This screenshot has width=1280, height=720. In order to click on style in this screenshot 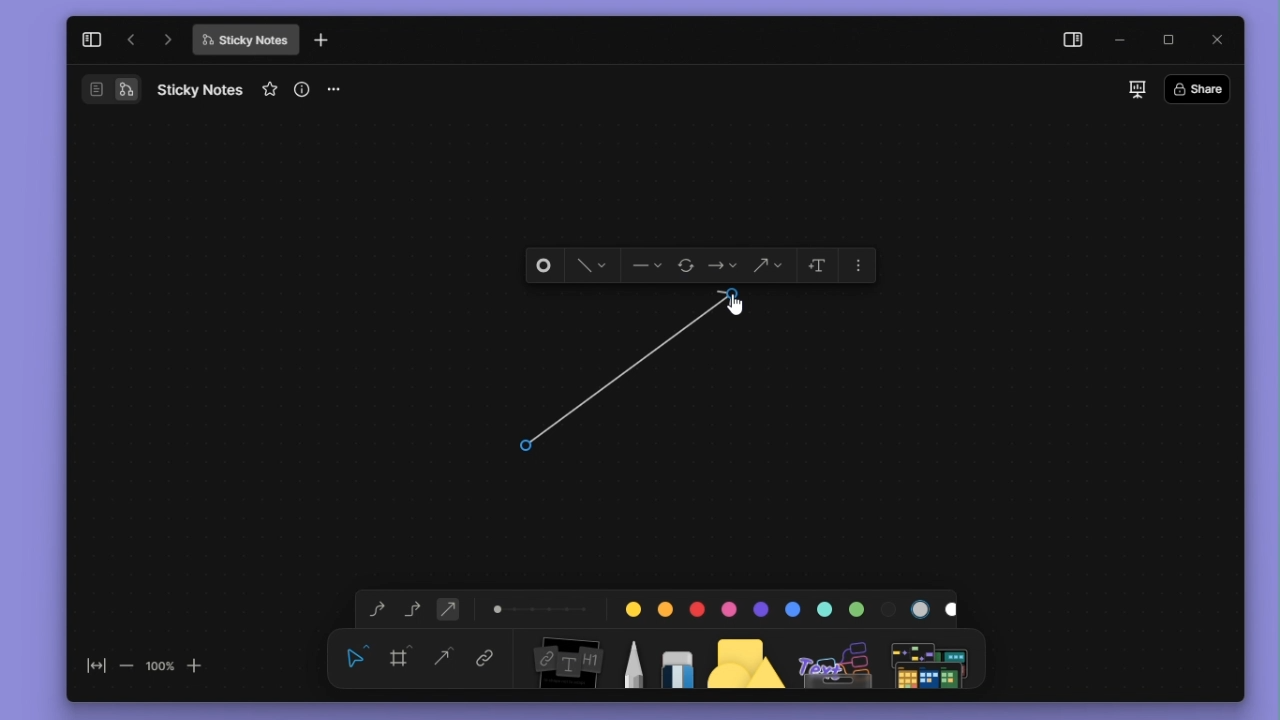, I will do `click(586, 266)`.